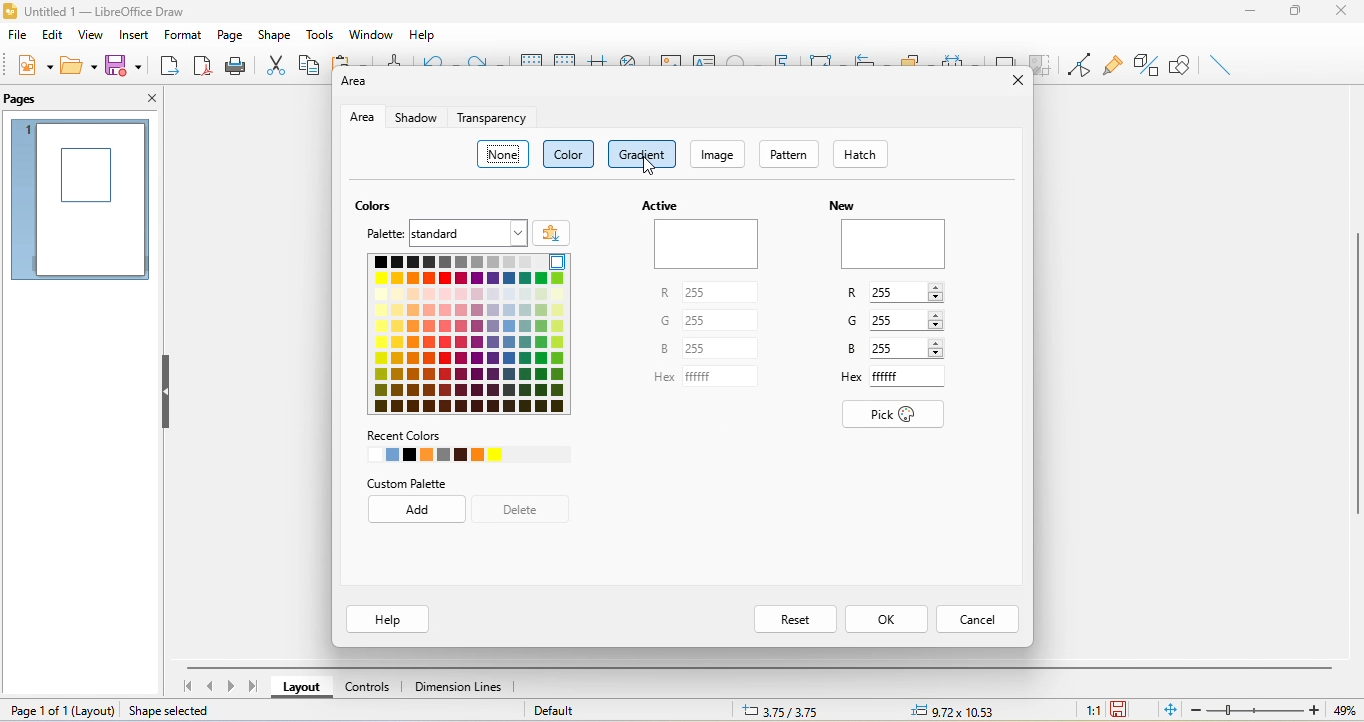  Describe the element at coordinates (82, 199) in the screenshot. I see `page 1` at that location.